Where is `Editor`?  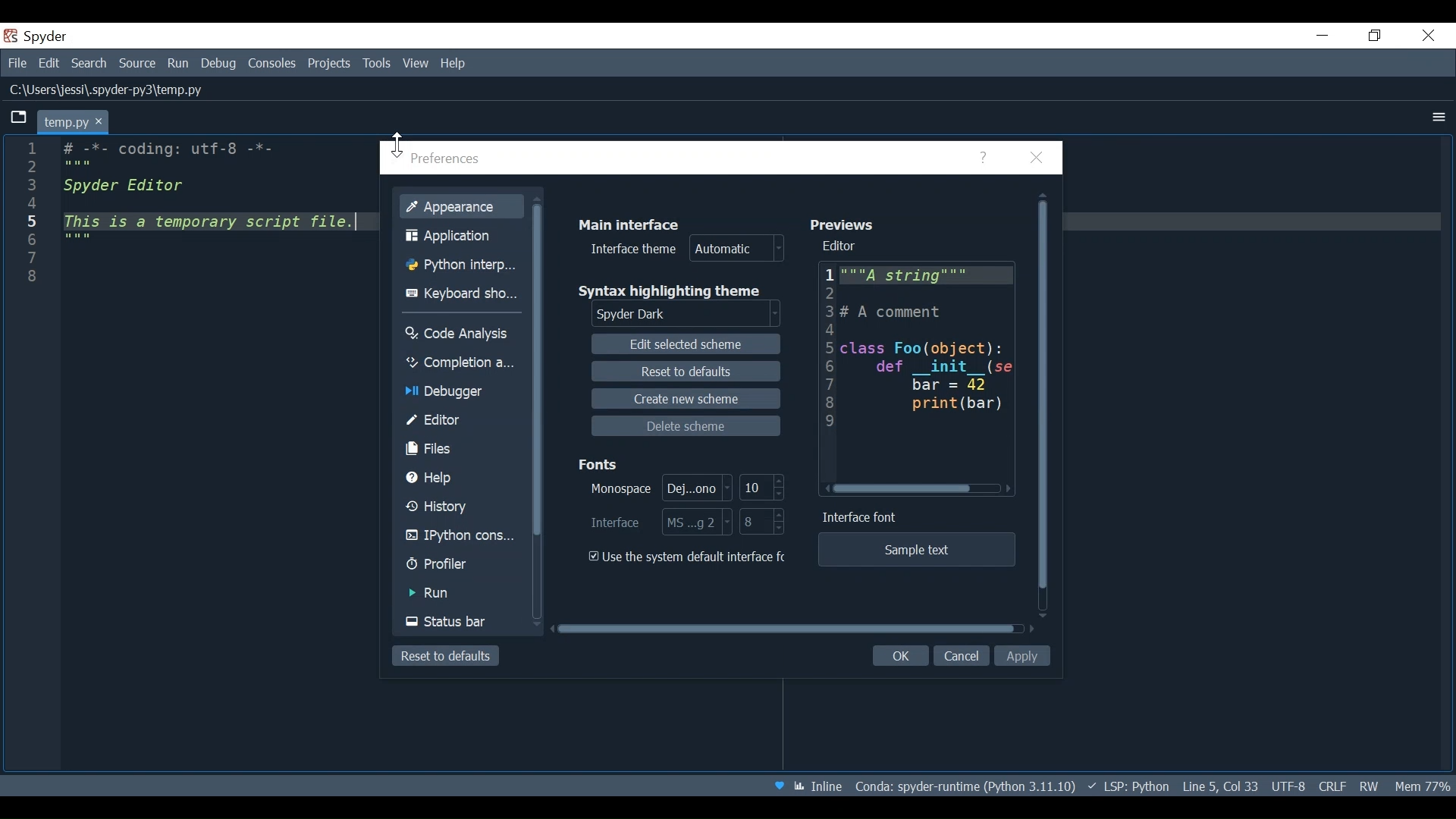 Editor is located at coordinates (845, 246).